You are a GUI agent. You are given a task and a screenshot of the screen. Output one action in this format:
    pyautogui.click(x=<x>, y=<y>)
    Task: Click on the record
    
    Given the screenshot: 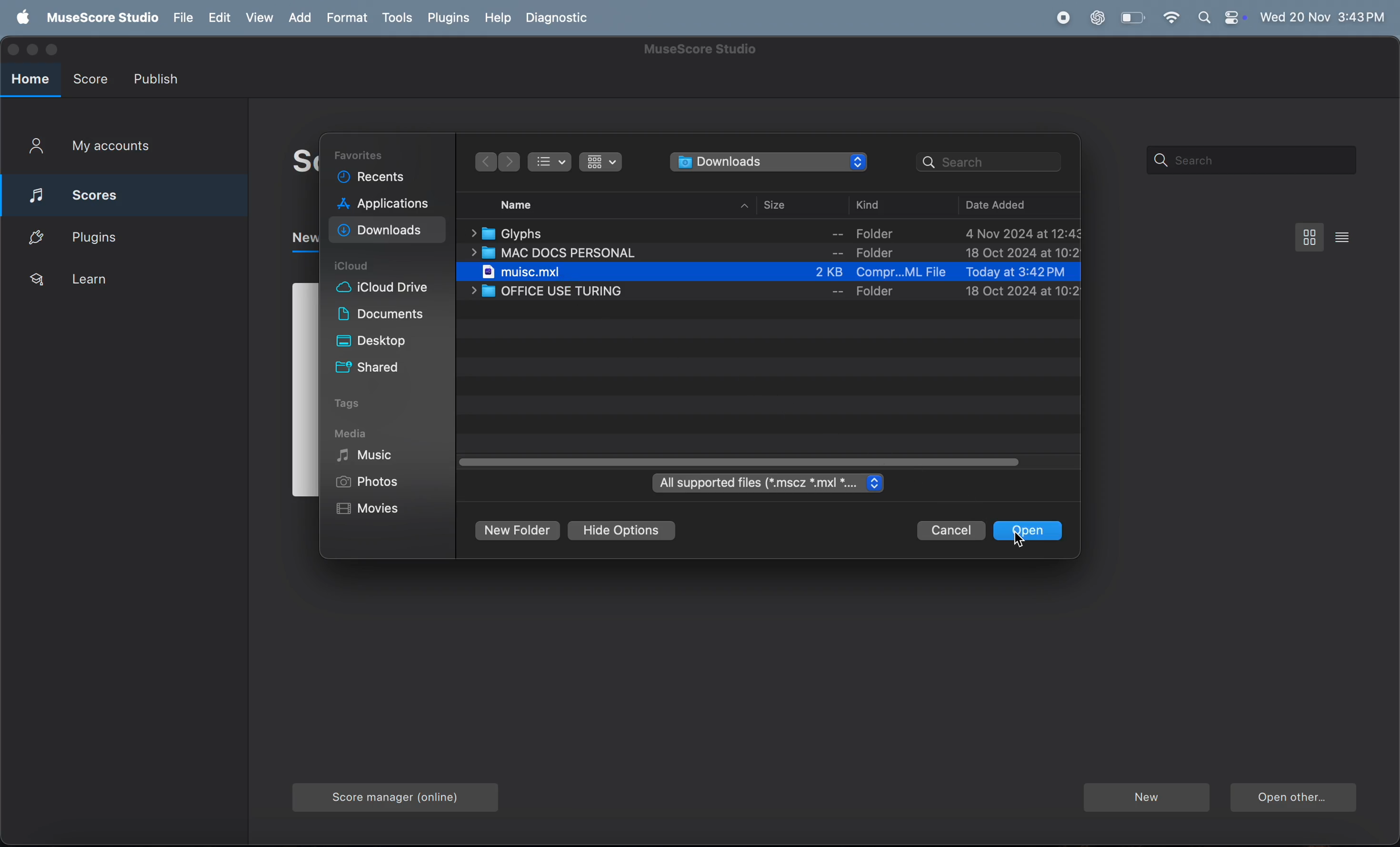 What is the action you would take?
    pyautogui.click(x=1064, y=18)
    